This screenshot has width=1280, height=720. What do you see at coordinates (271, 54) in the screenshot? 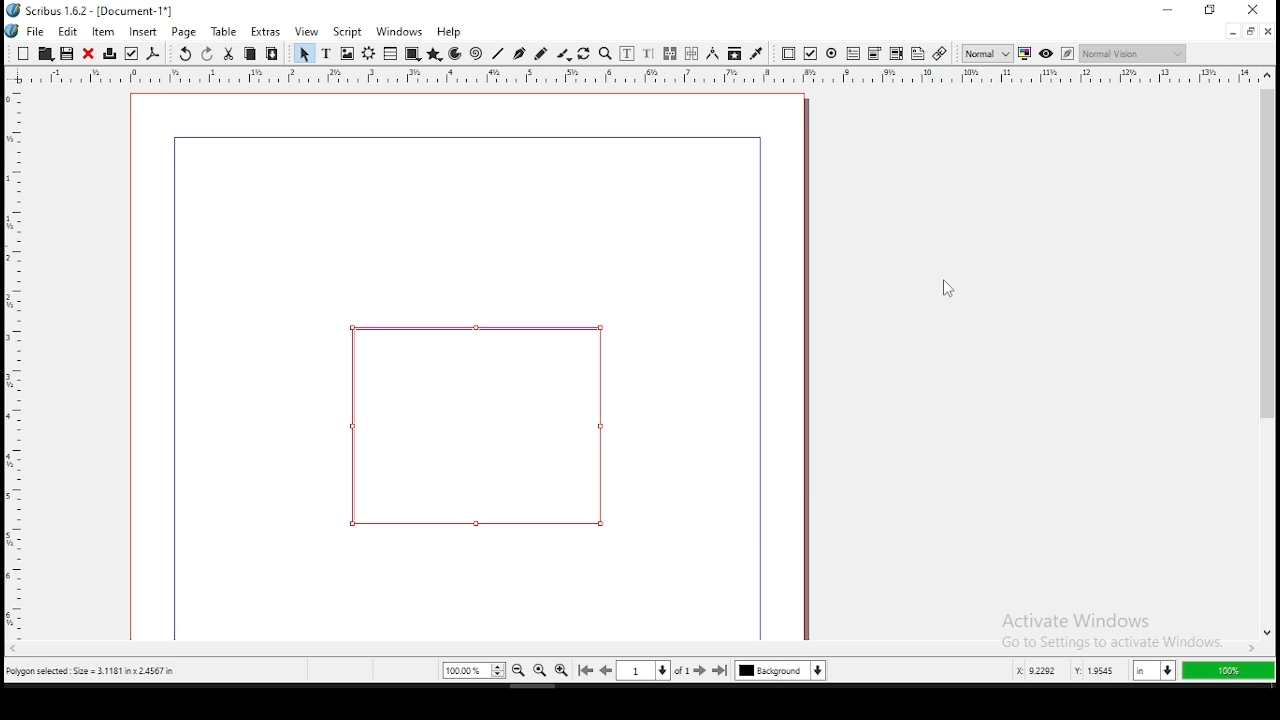
I see `paste` at bounding box center [271, 54].